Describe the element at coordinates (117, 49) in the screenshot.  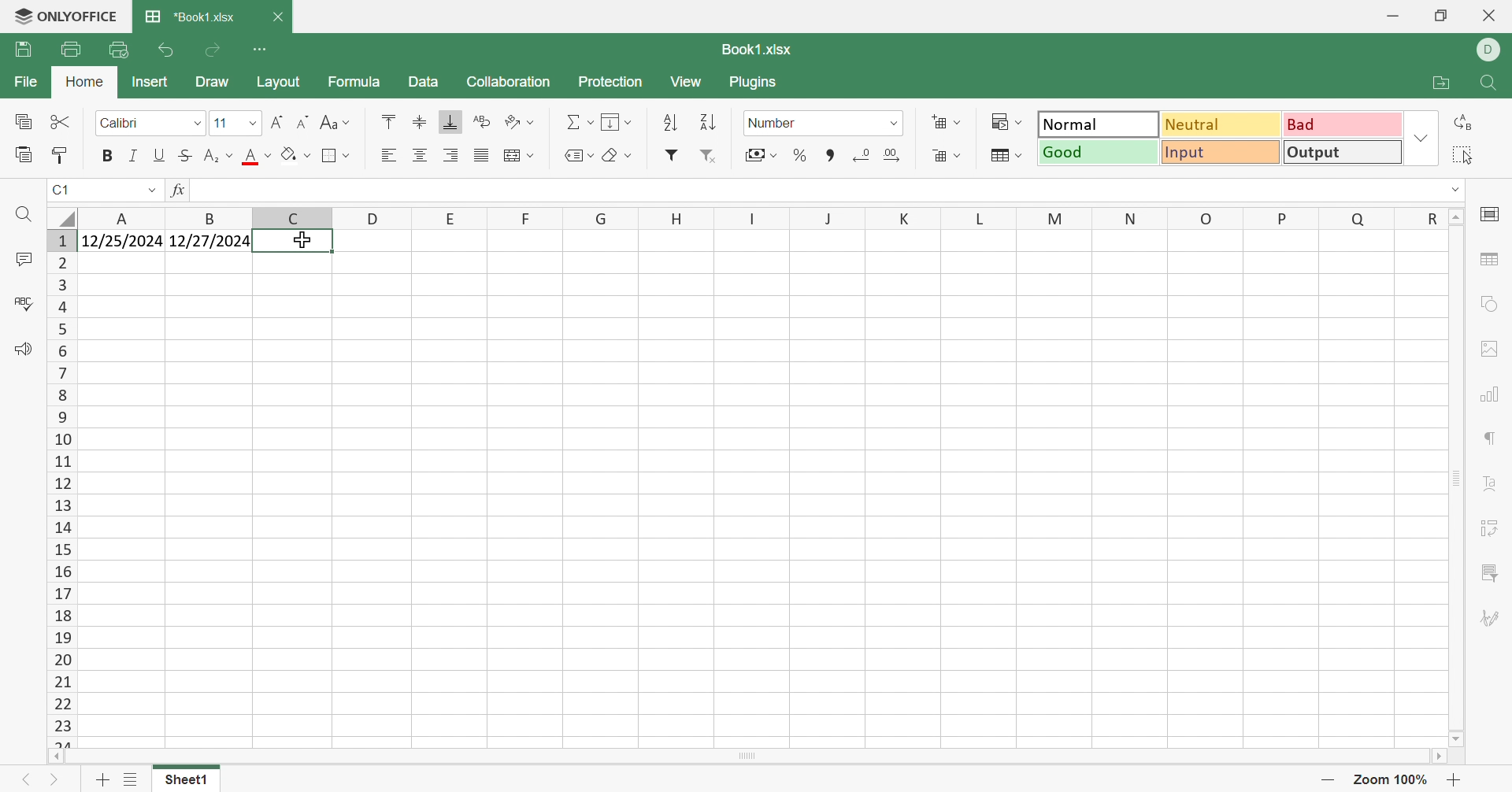
I see `Quick Print` at that location.